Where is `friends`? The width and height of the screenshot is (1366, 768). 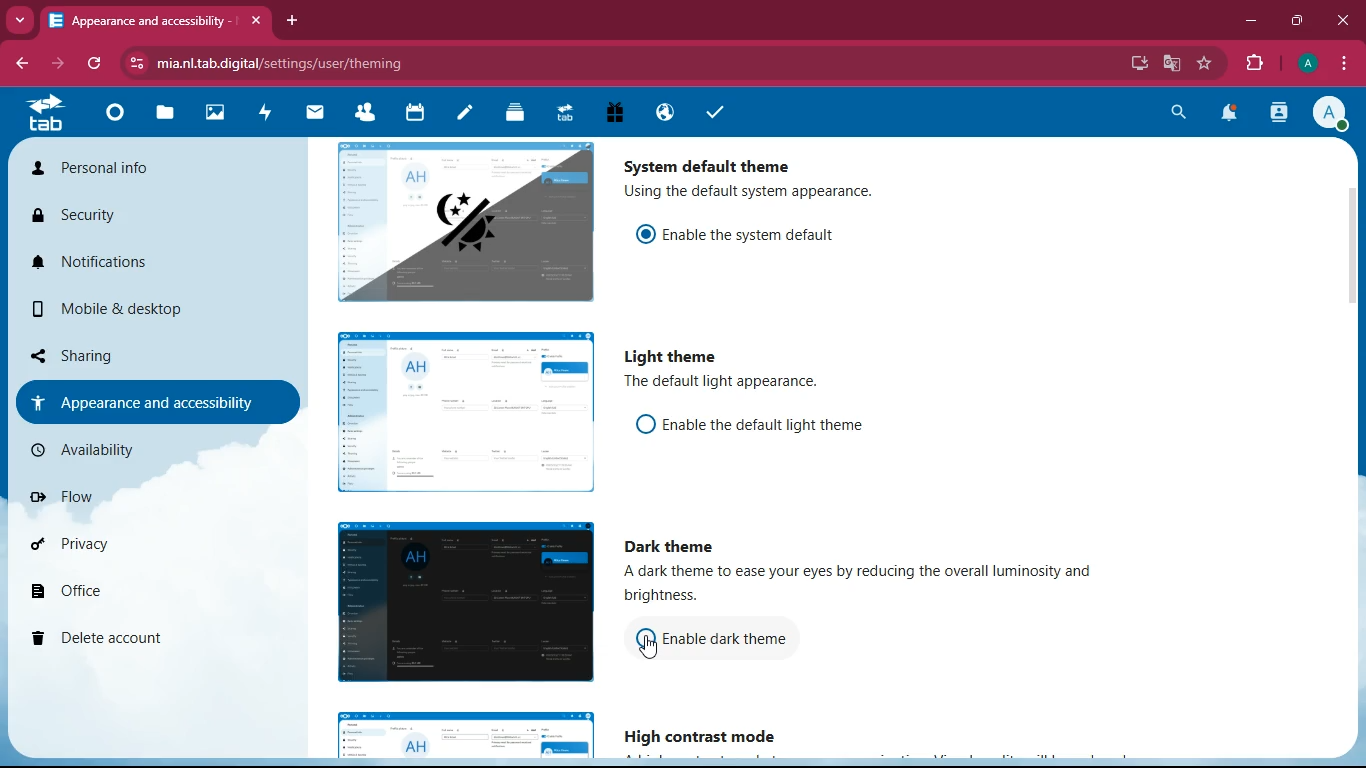
friends is located at coordinates (369, 114).